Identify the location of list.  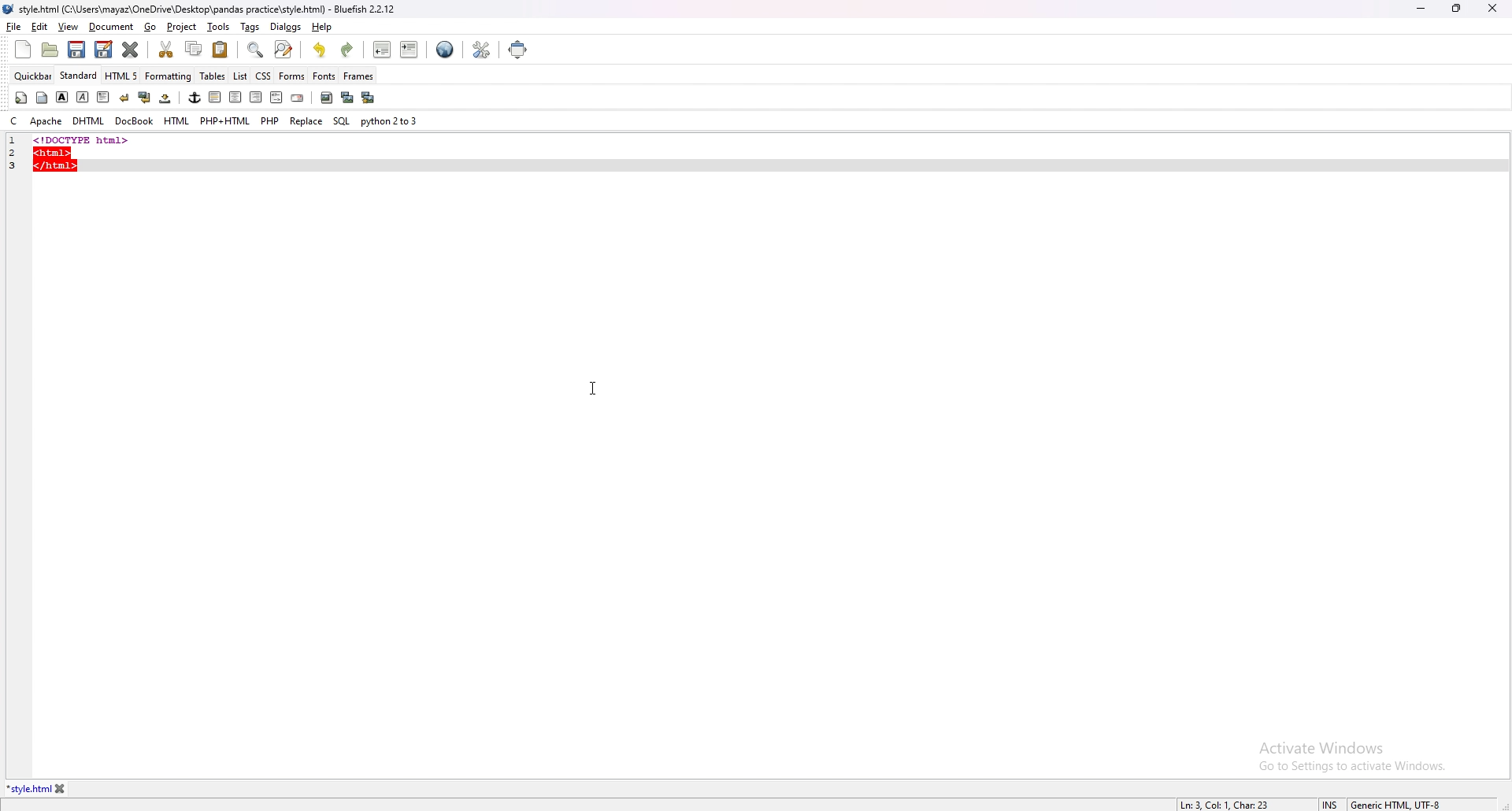
(240, 75).